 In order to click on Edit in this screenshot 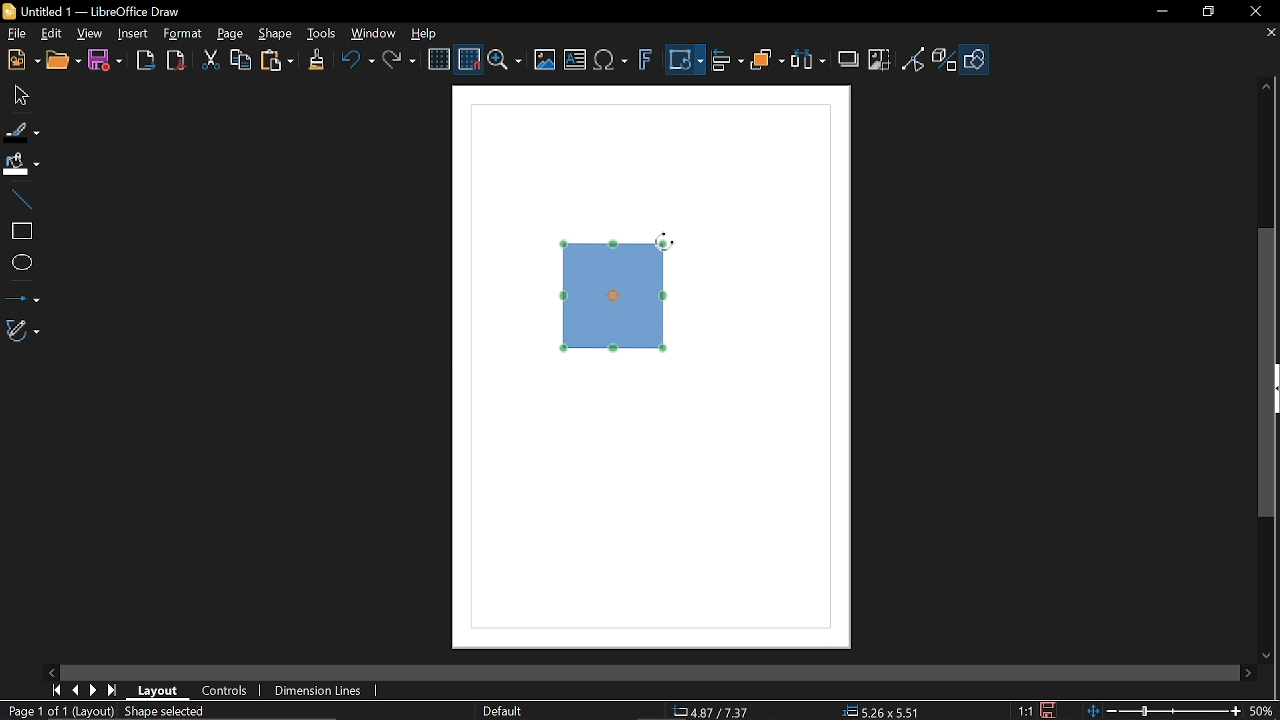, I will do `click(50, 35)`.